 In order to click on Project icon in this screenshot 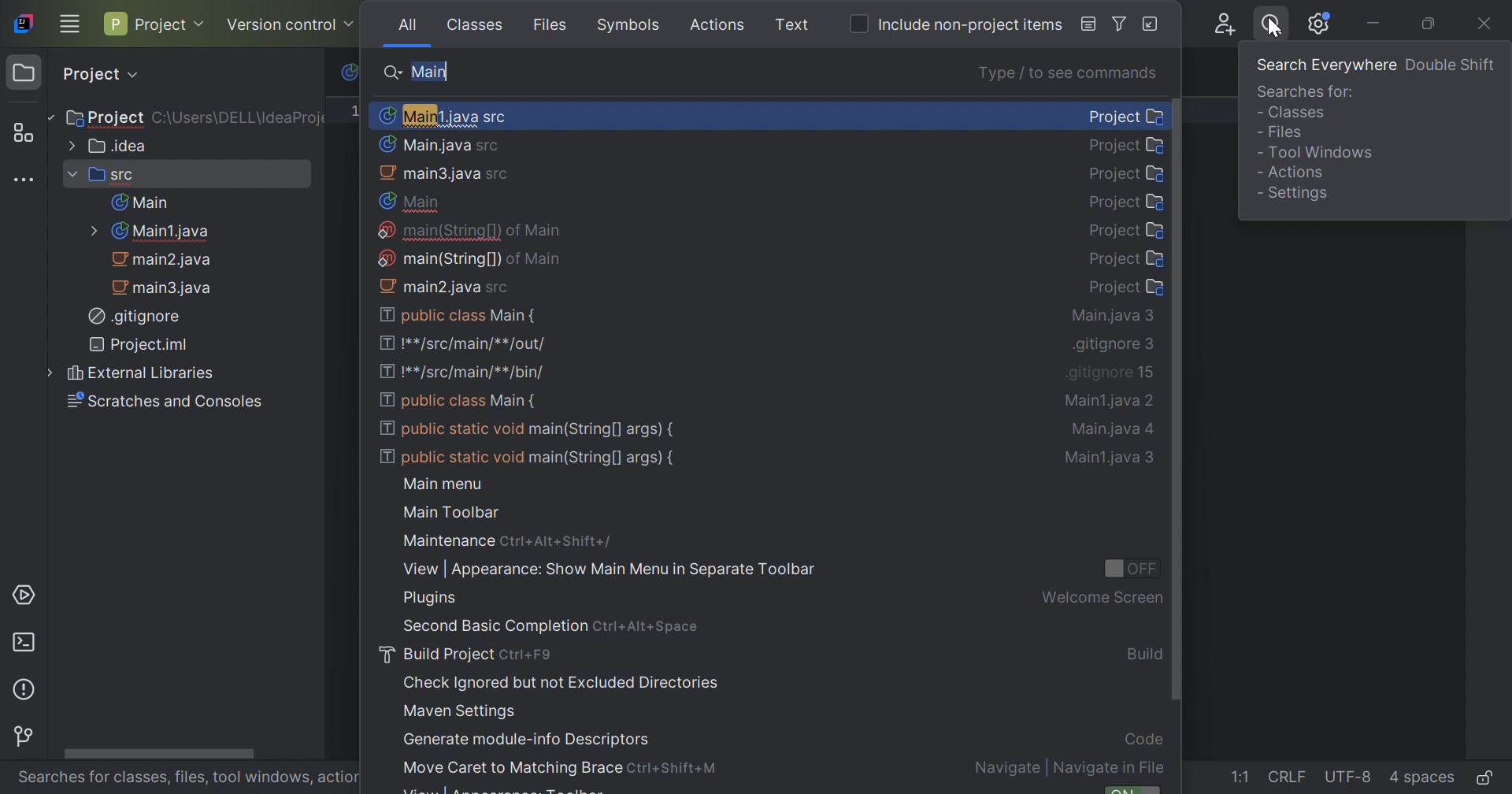, I will do `click(24, 76)`.